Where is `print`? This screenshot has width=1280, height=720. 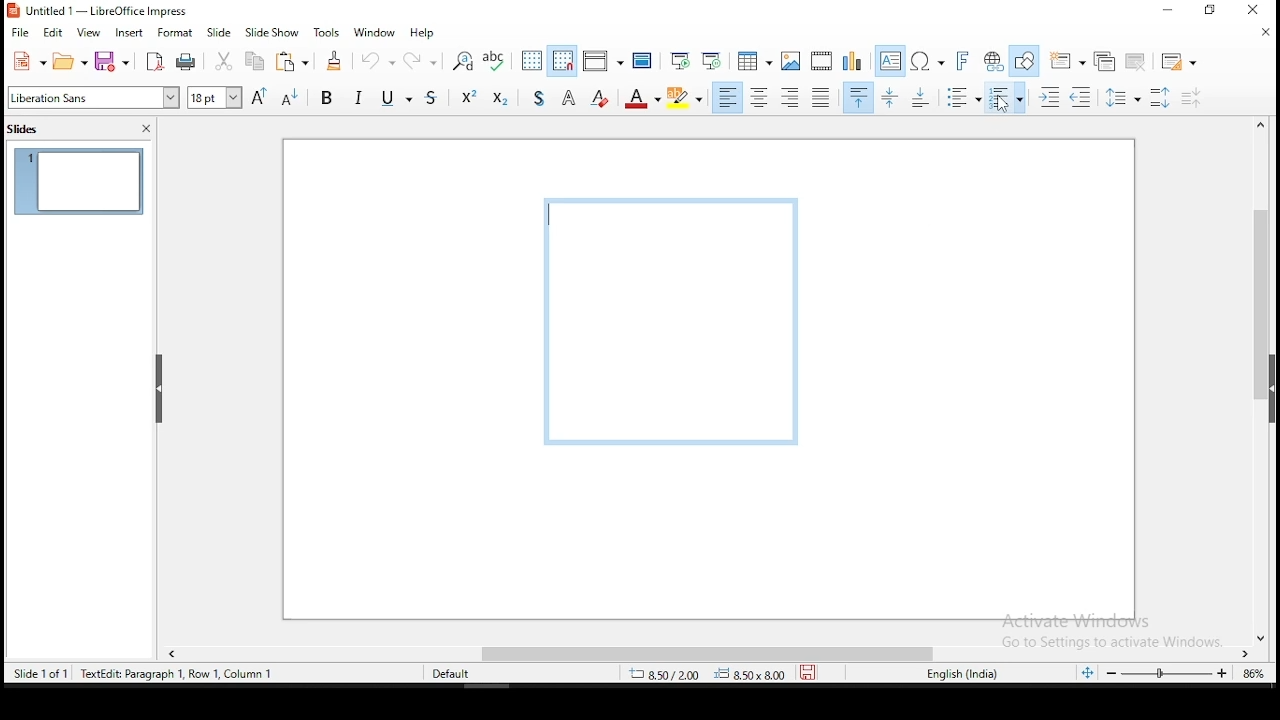
print is located at coordinates (186, 62).